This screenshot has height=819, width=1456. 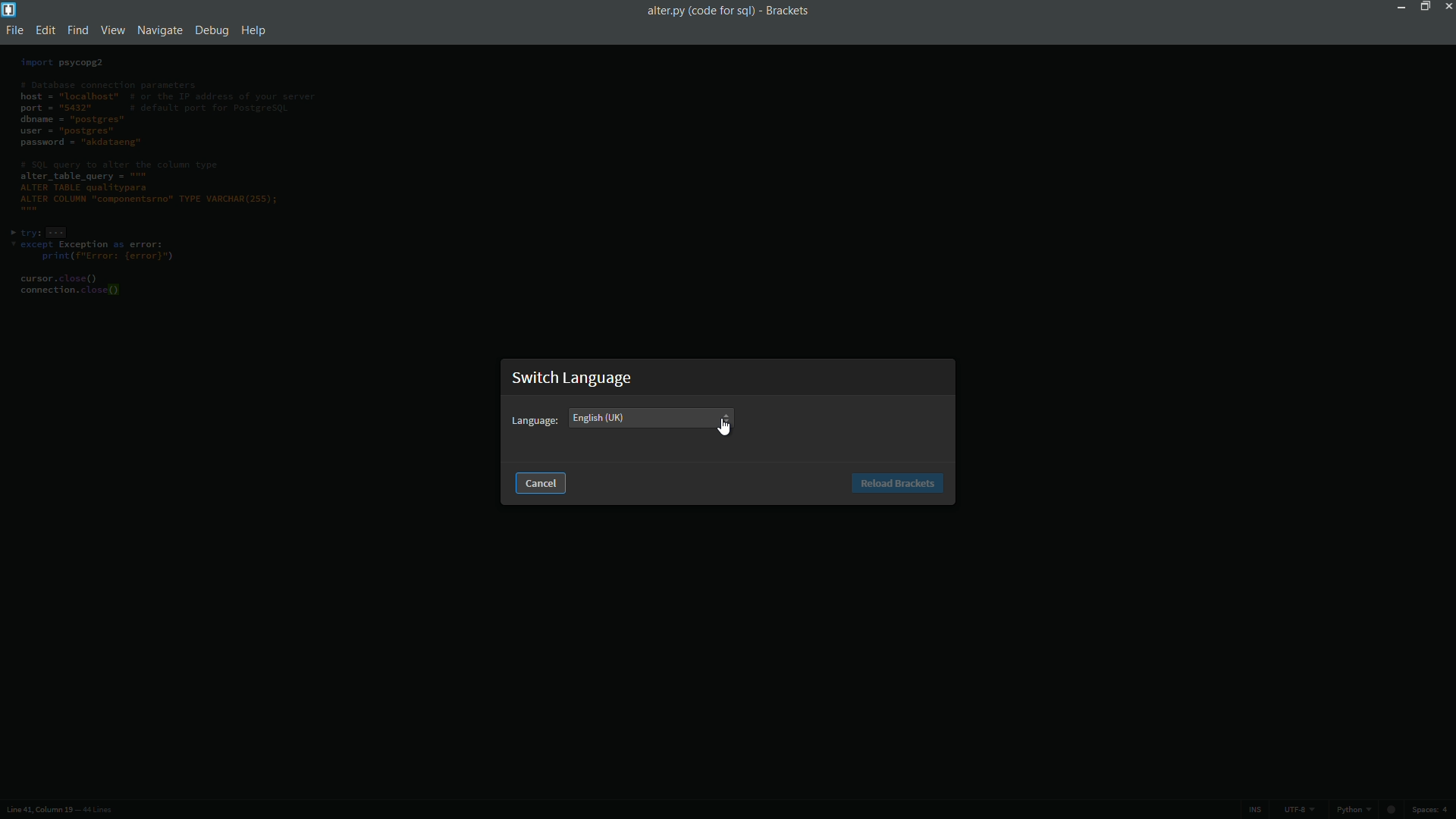 What do you see at coordinates (1403, 8) in the screenshot?
I see `minimize` at bounding box center [1403, 8].